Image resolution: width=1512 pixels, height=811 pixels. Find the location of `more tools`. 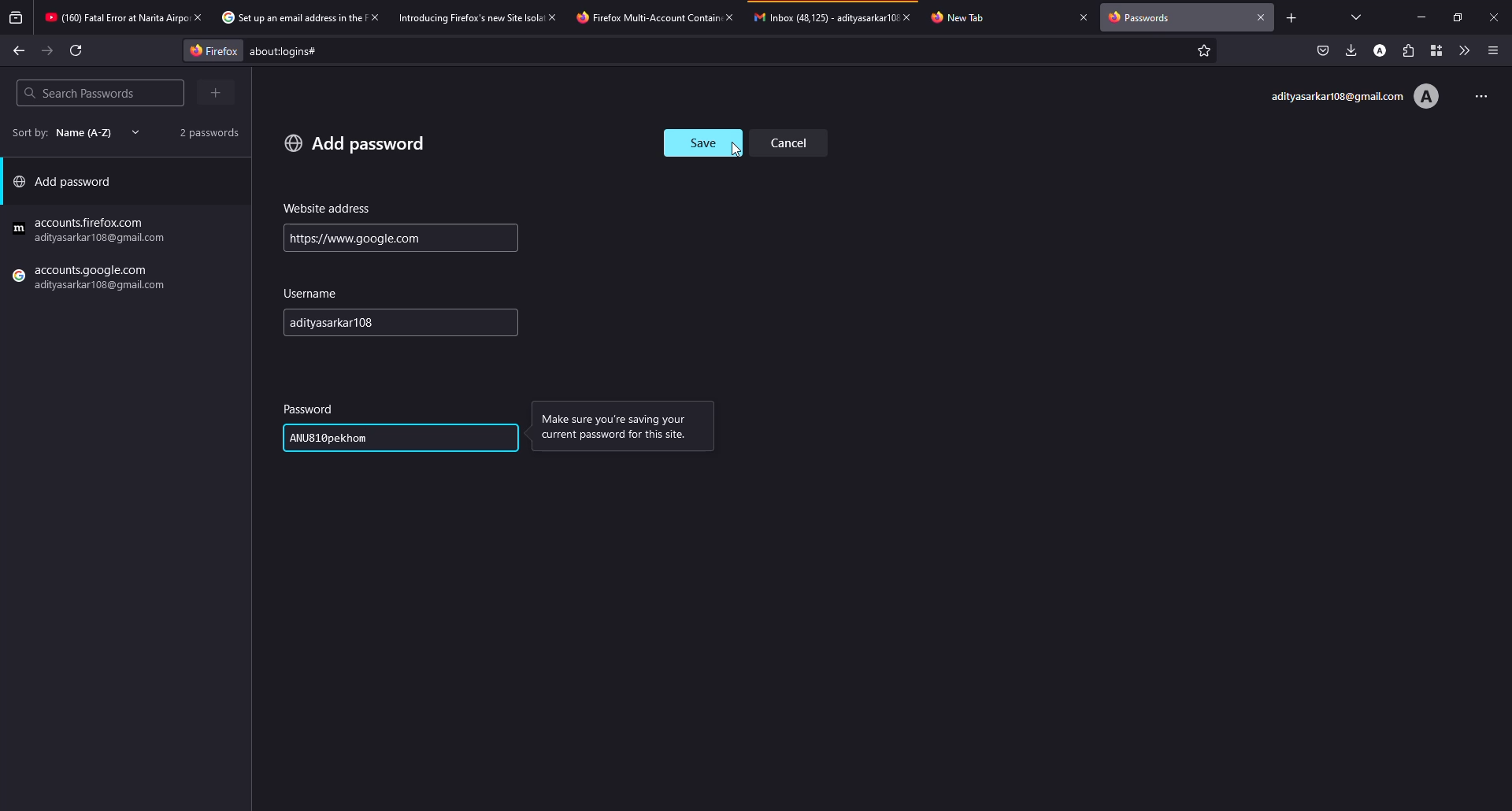

more tools is located at coordinates (1461, 50).